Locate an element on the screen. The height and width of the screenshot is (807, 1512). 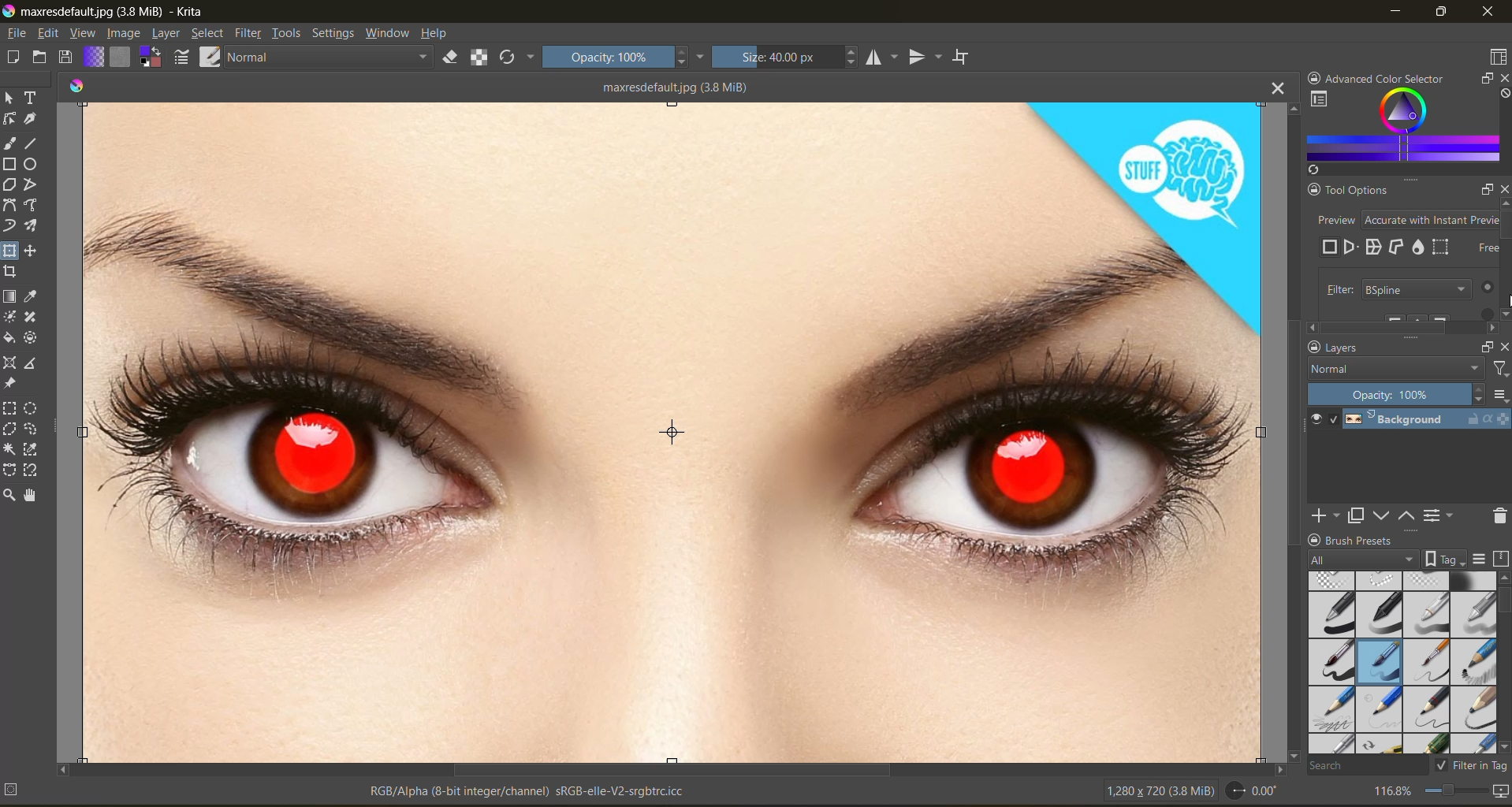
horizontal scroll bar is located at coordinates (672, 768).